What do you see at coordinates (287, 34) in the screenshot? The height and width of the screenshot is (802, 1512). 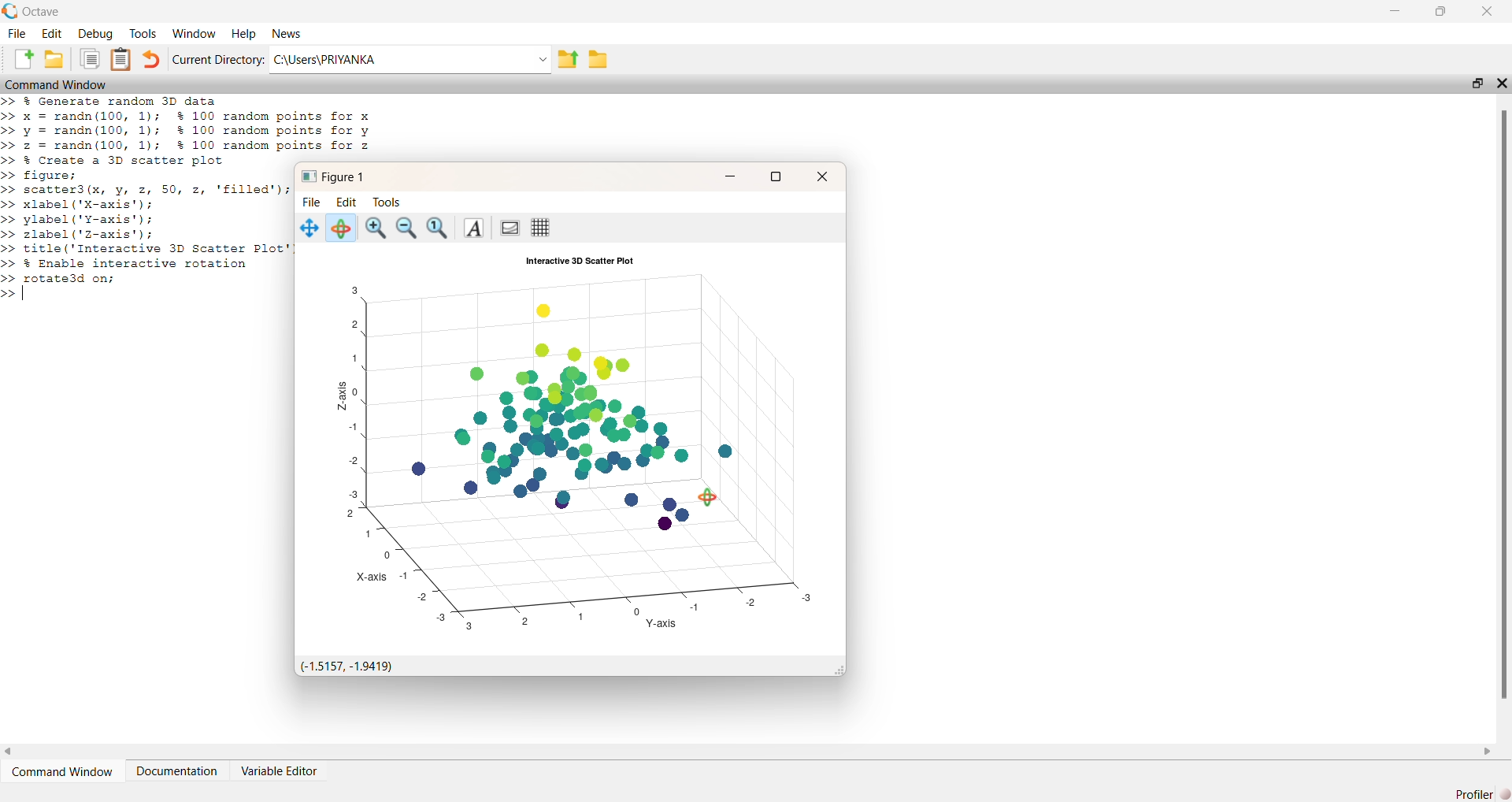 I see `News` at bounding box center [287, 34].